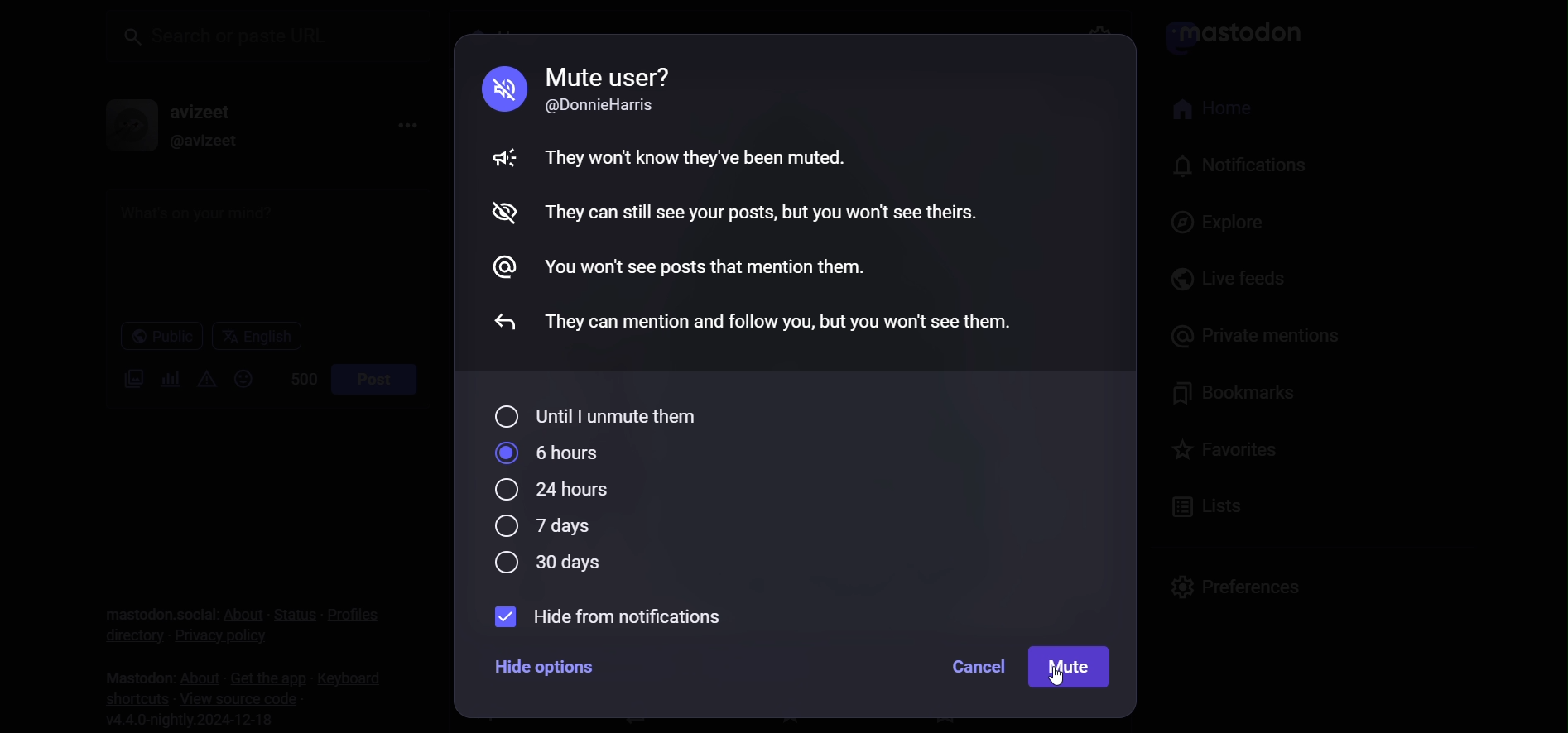 This screenshot has width=1568, height=733. What do you see at coordinates (498, 325) in the screenshot?
I see `reply` at bounding box center [498, 325].